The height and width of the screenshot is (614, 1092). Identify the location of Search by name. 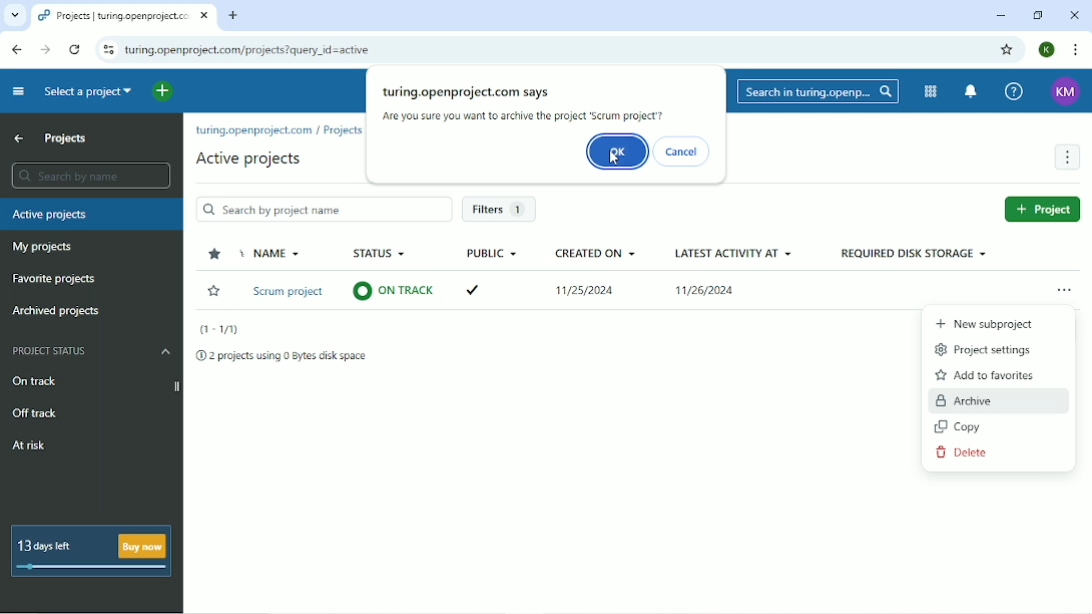
(91, 175).